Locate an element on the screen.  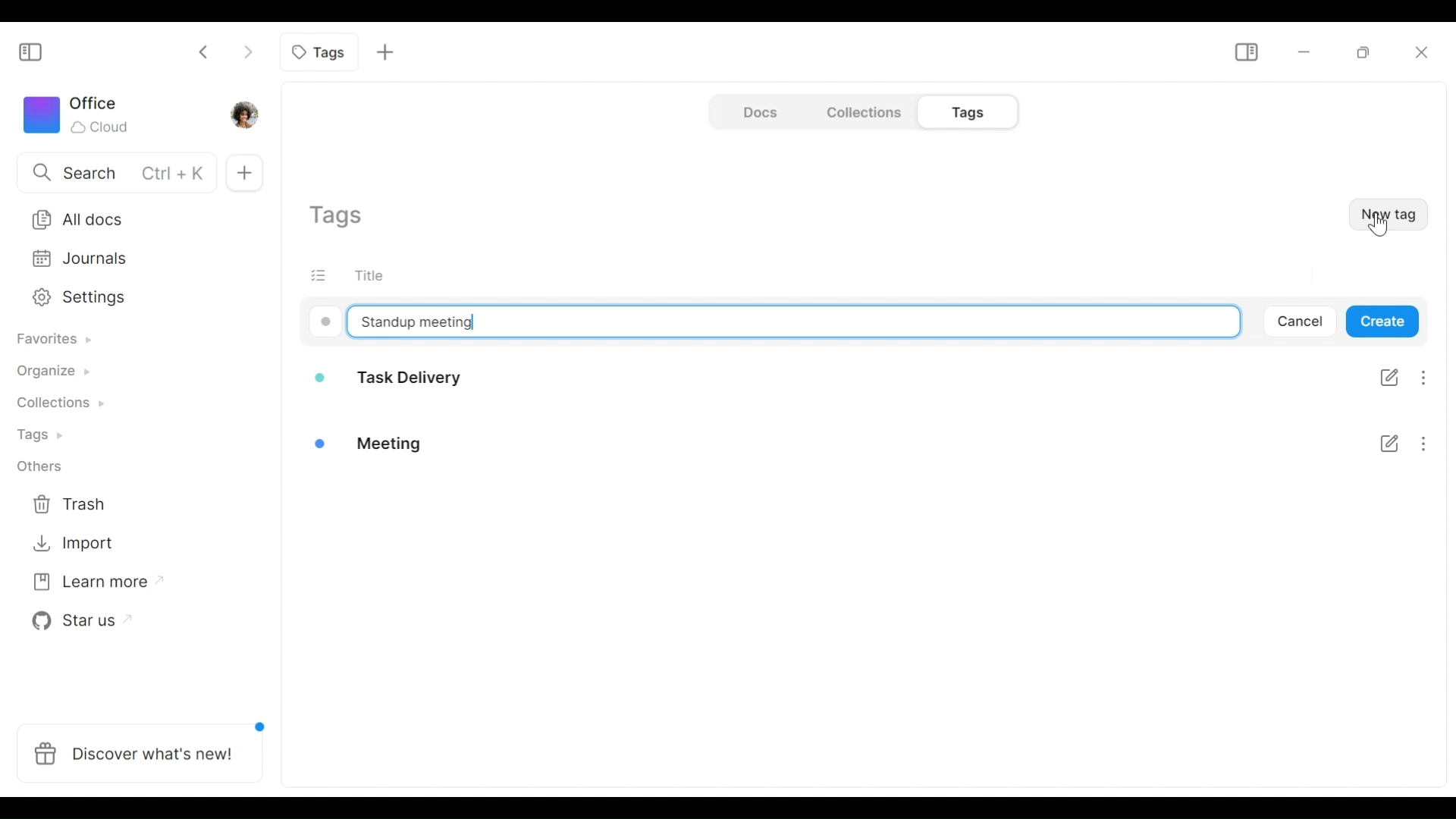
Close is located at coordinates (1423, 51).